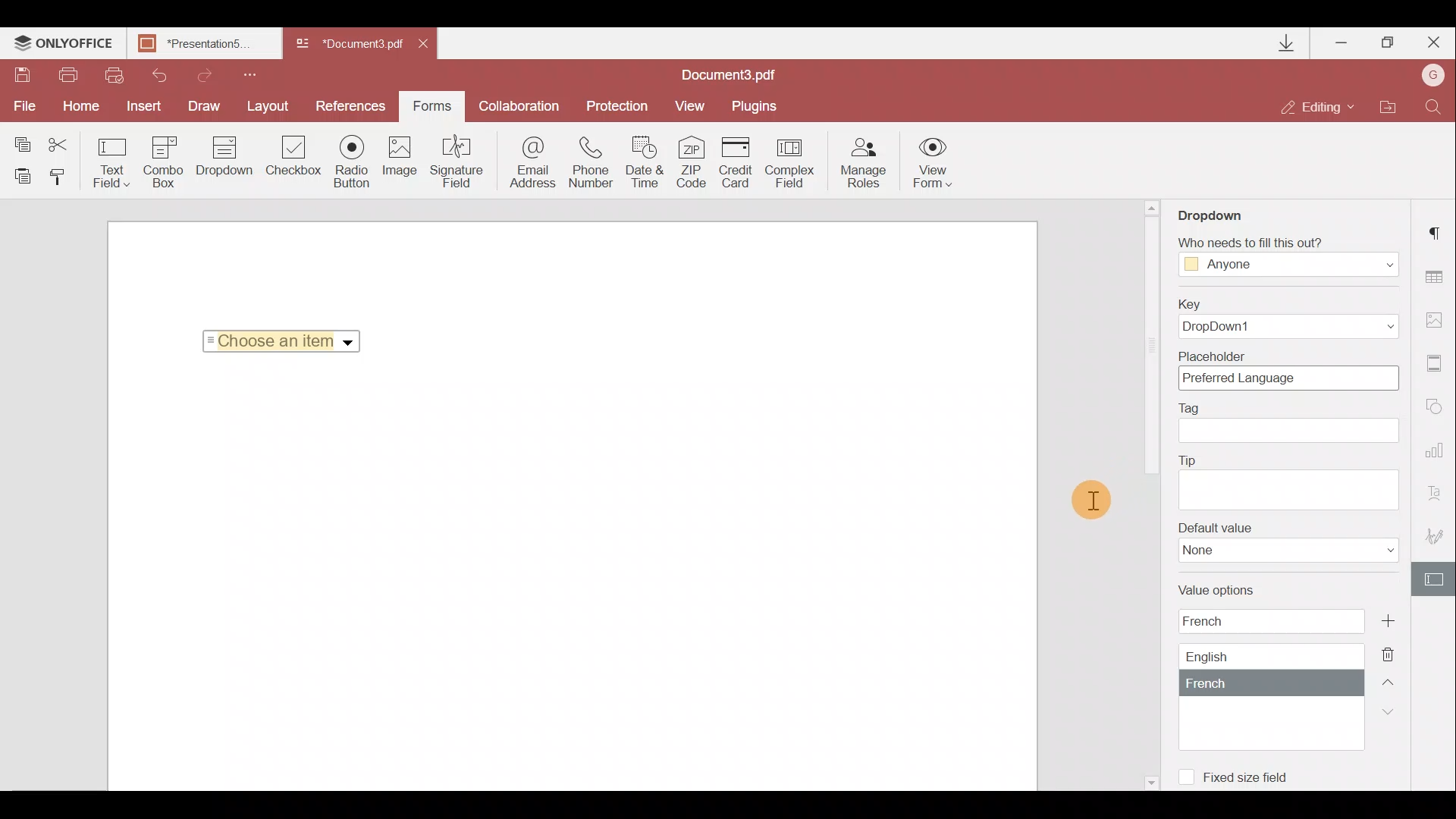 This screenshot has height=819, width=1456. What do you see at coordinates (401, 163) in the screenshot?
I see `Image` at bounding box center [401, 163].